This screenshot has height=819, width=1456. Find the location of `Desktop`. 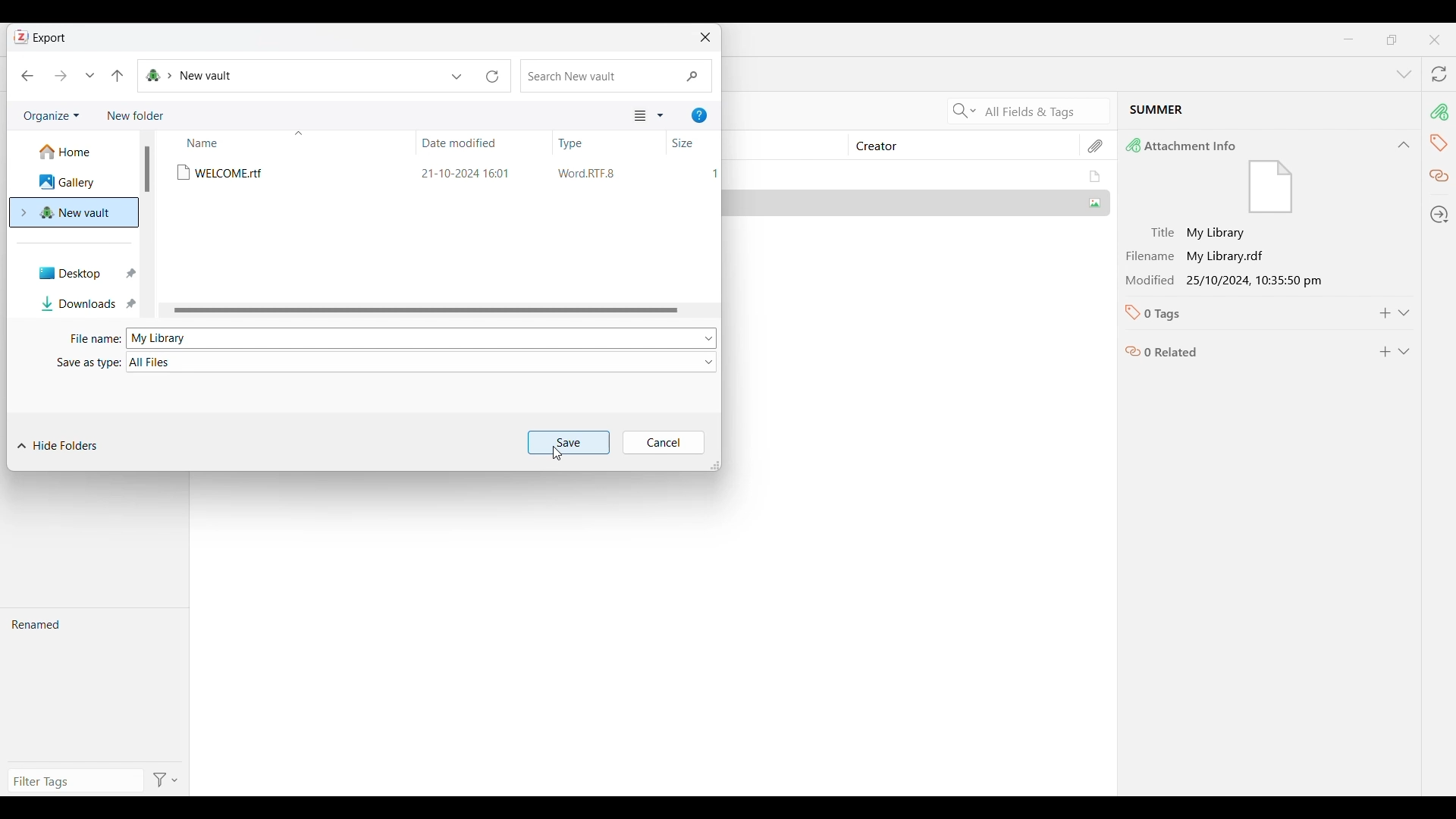

Desktop is located at coordinates (80, 272).